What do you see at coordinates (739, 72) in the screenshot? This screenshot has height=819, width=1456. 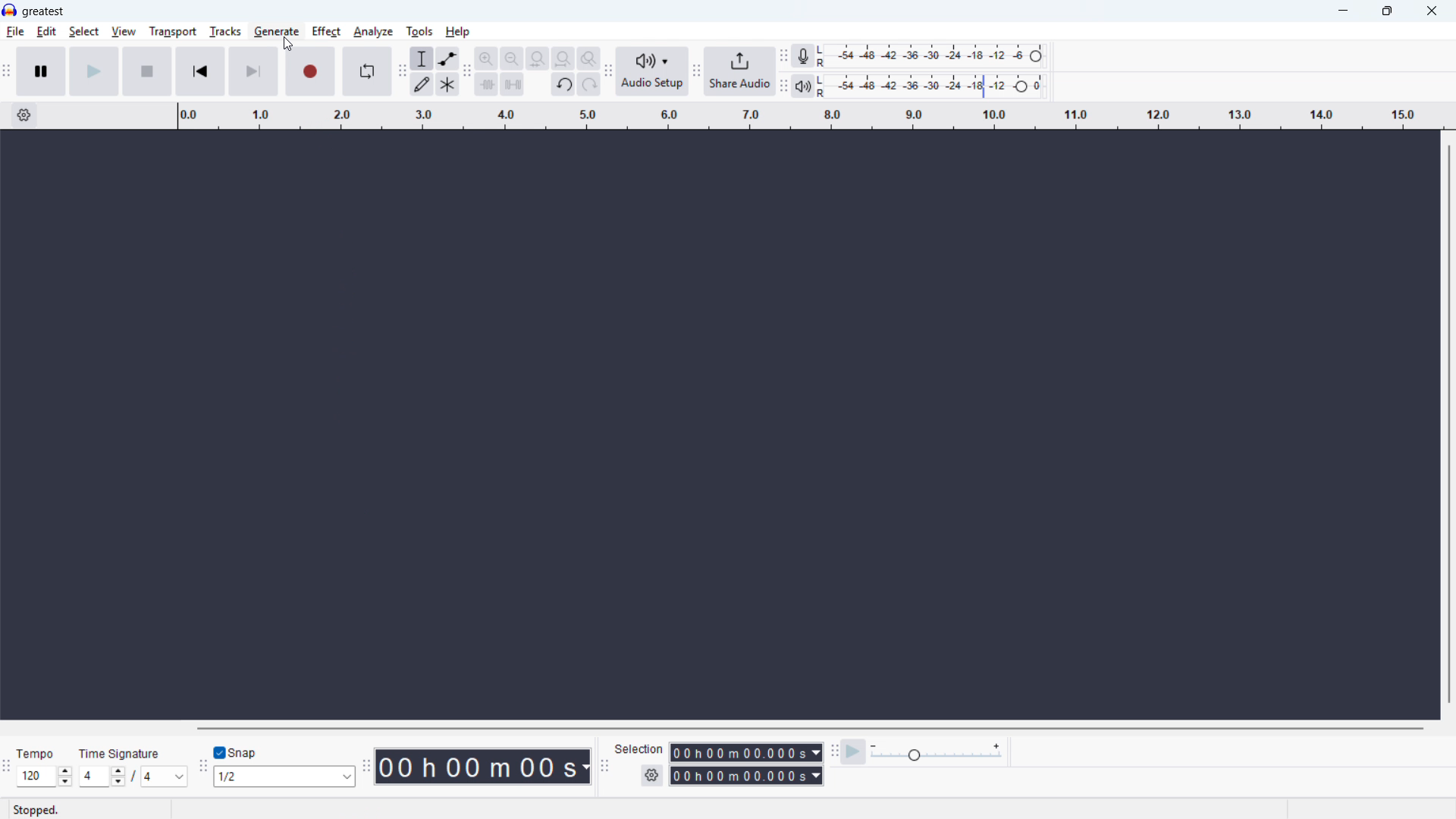 I see `share audio` at bounding box center [739, 72].